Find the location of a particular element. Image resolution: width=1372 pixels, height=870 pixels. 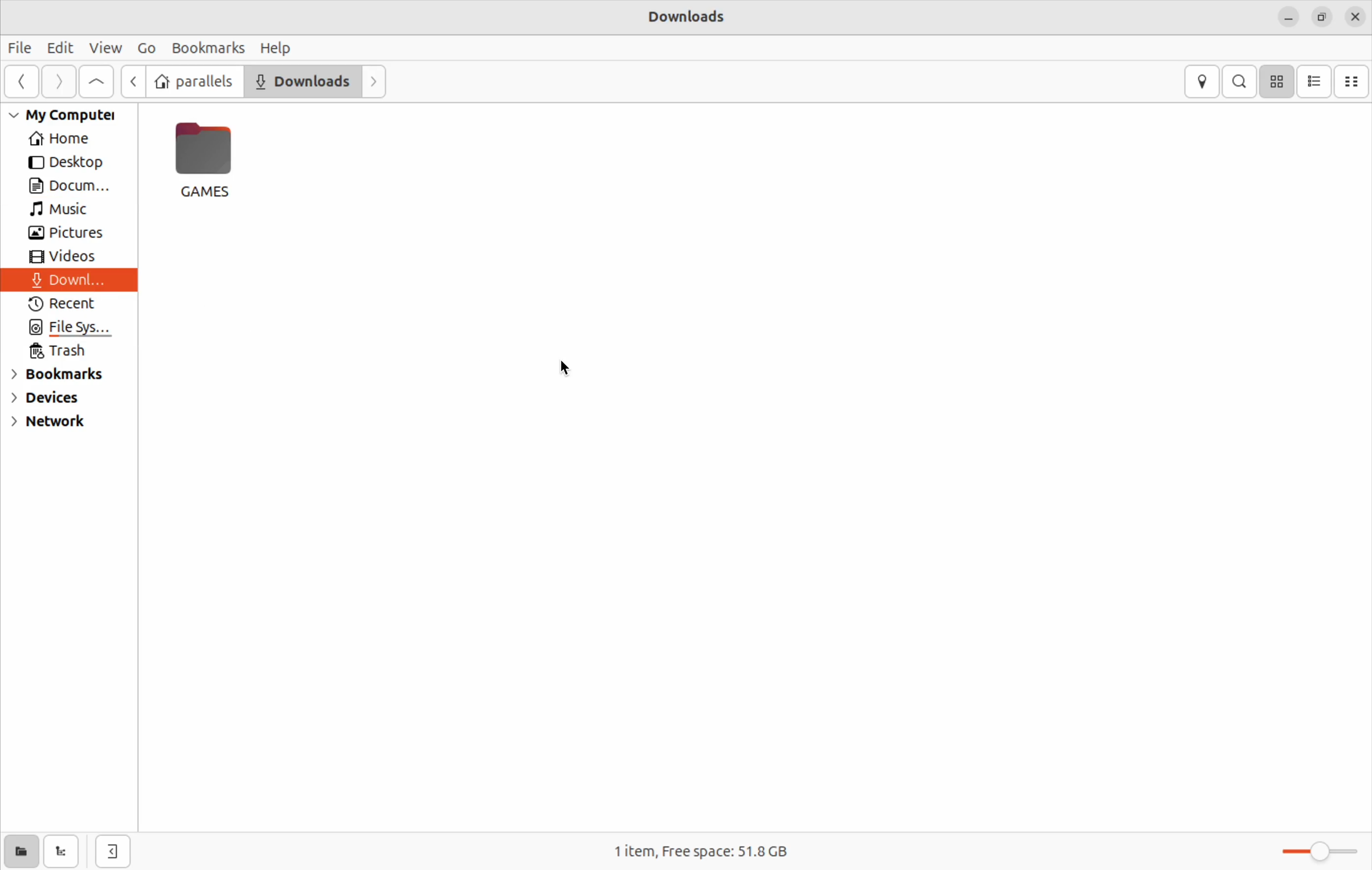

list view is located at coordinates (1314, 81).